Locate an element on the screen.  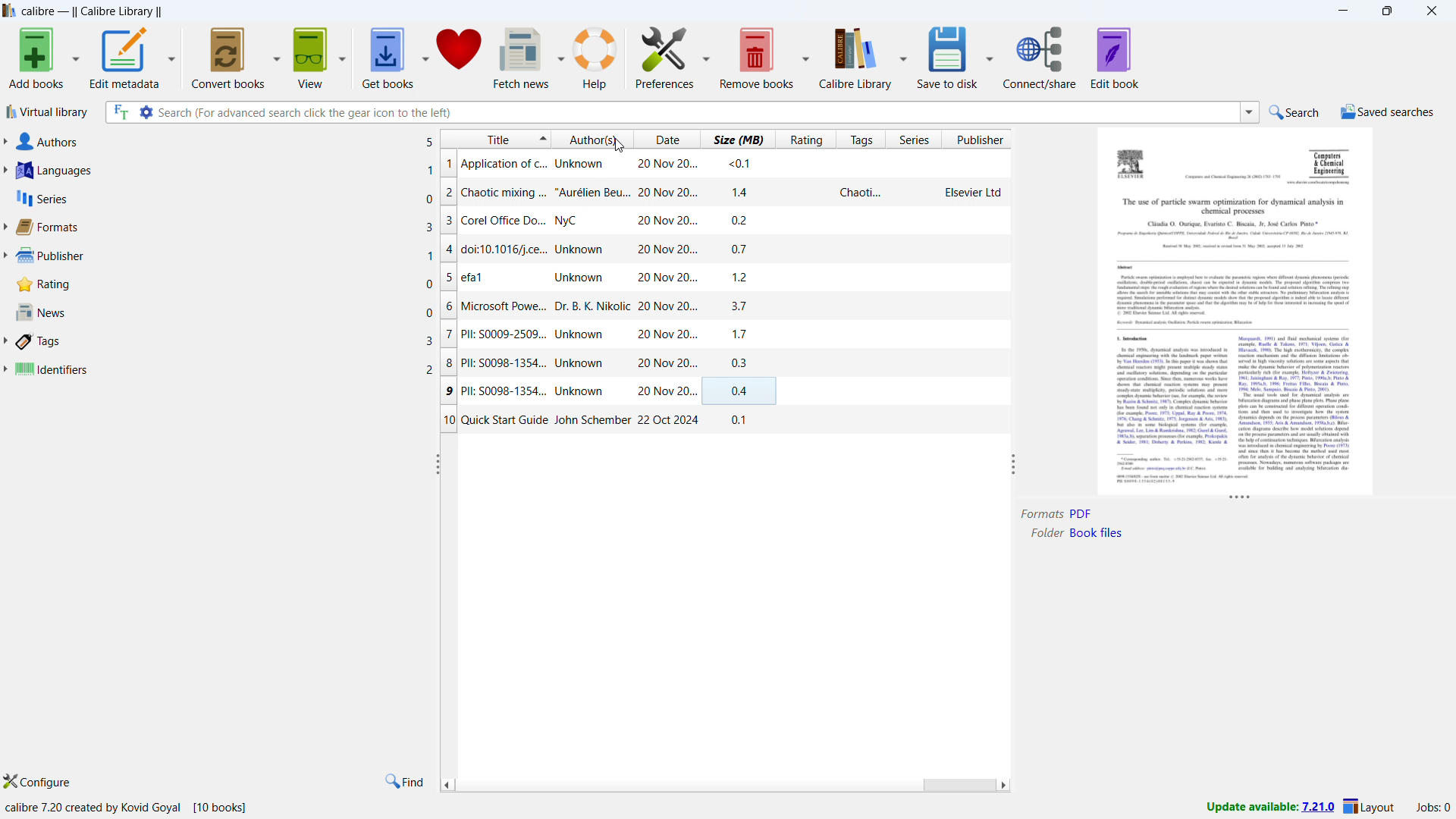
search is located at coordinates (1294, 113).